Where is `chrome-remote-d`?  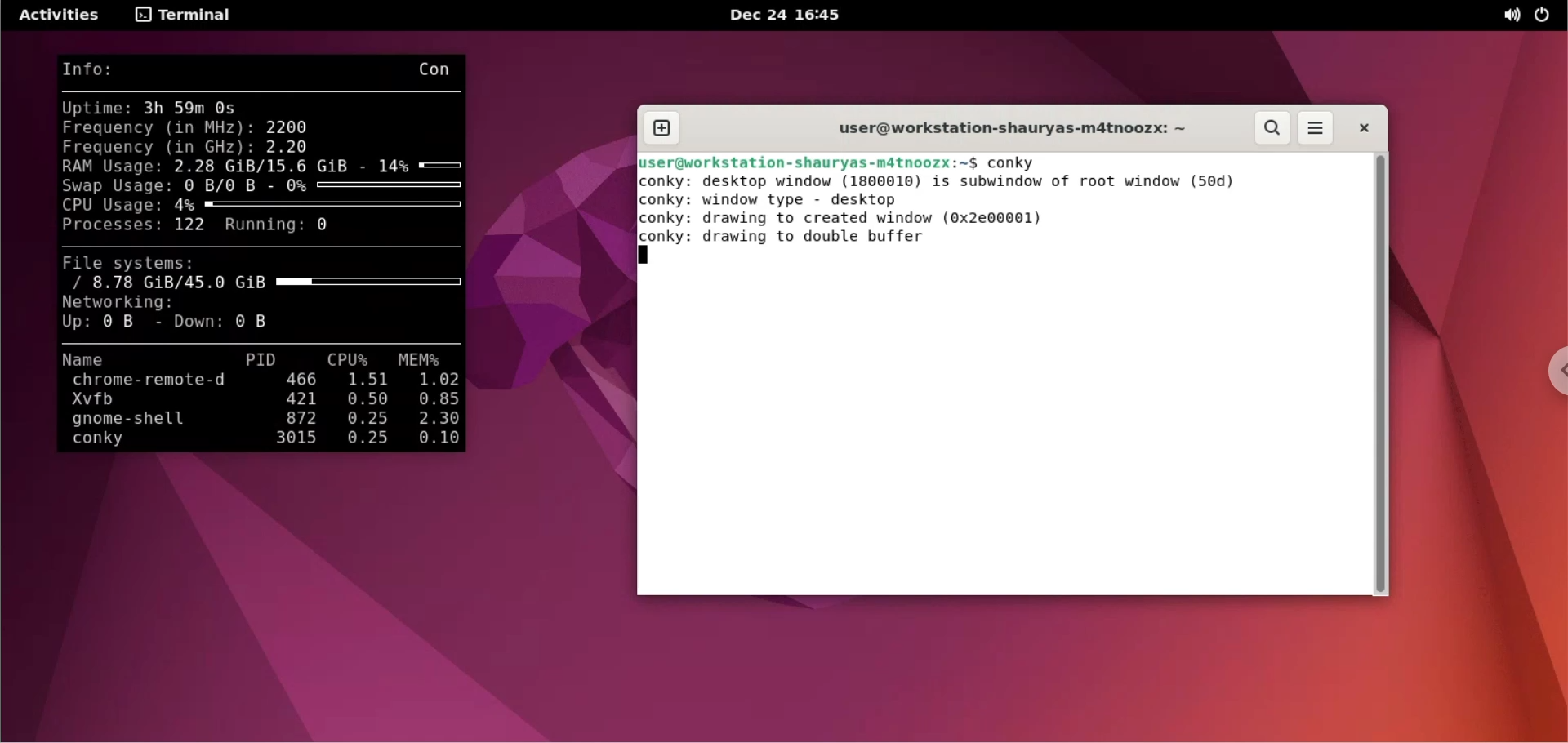 chrome-remote-d is located at coordinates (156, 380).